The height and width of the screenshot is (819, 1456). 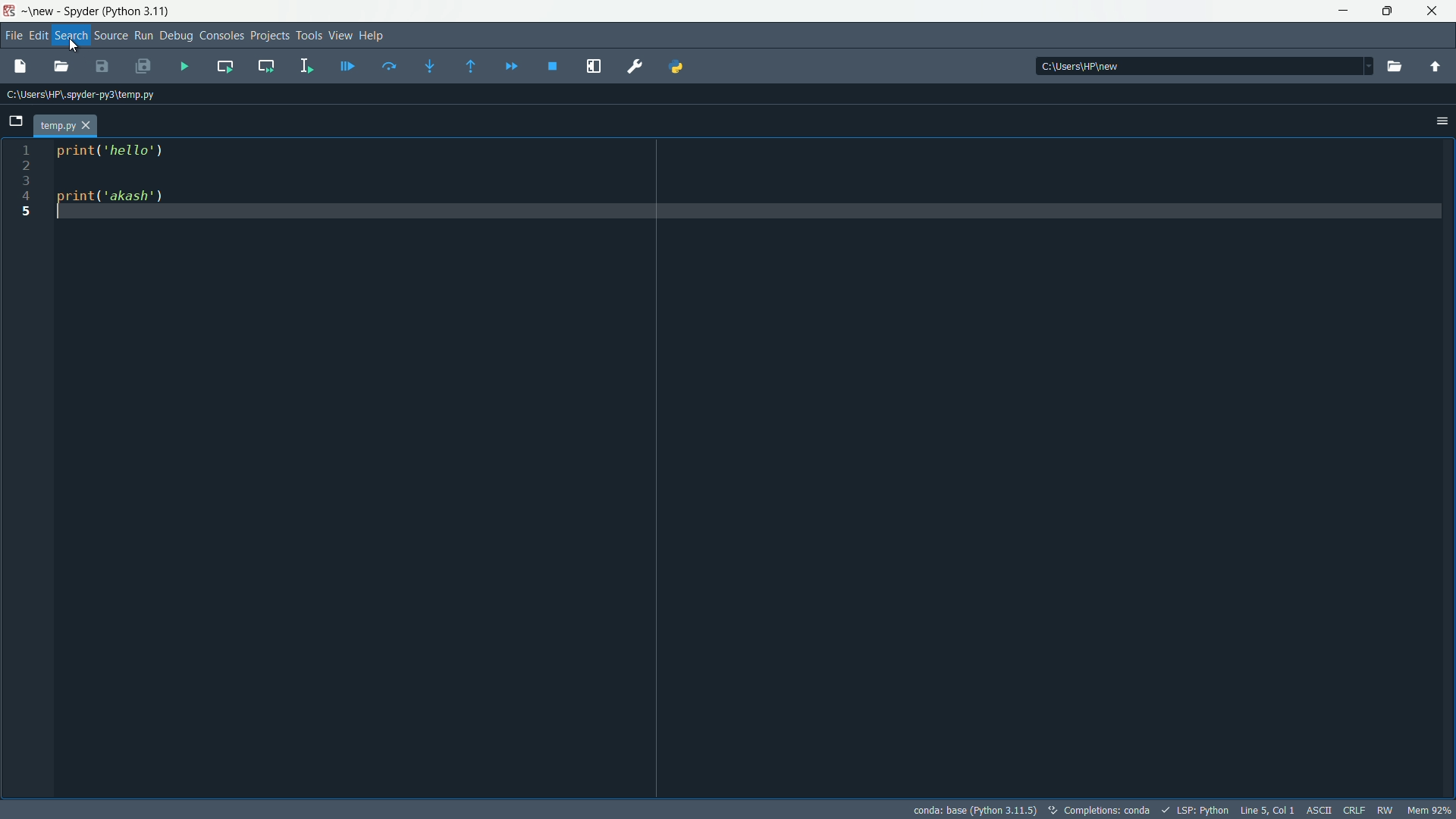 I want to click on open file, so click(x=59, y=65).